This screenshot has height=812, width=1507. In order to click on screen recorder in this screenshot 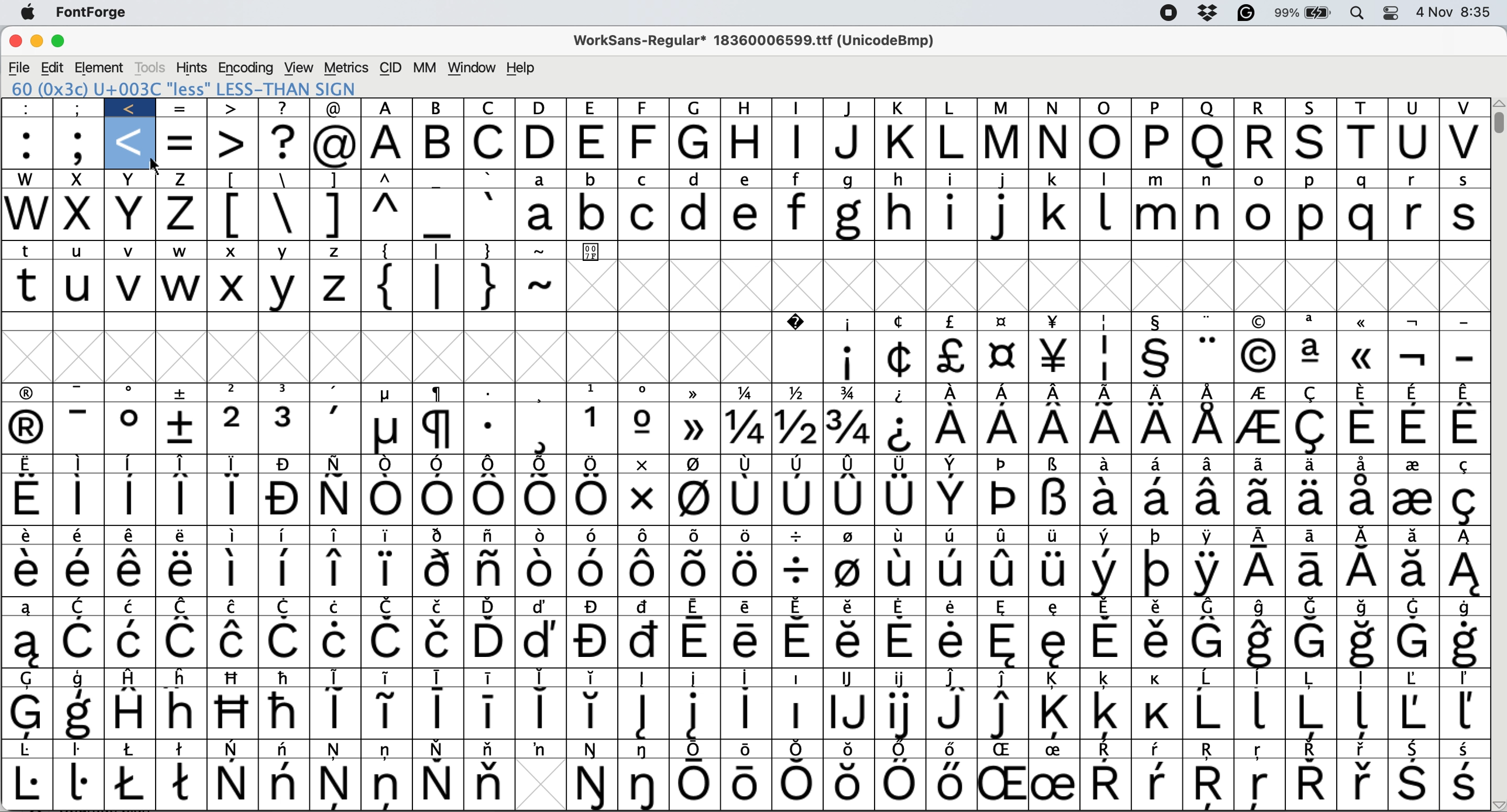, I will do `click(1168, 15)`.